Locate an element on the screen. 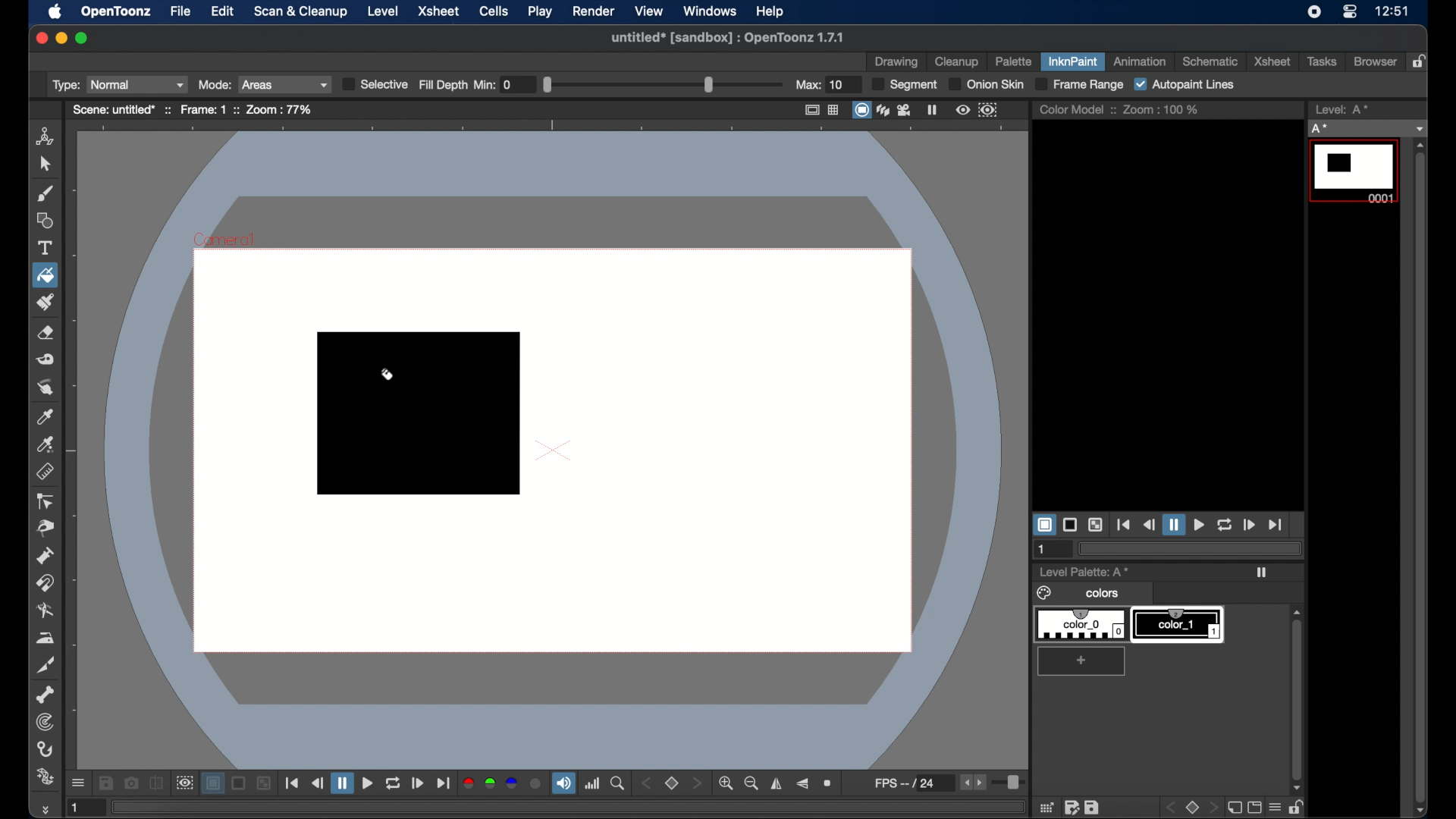  xsheet is located at coordinates (1271, 61).